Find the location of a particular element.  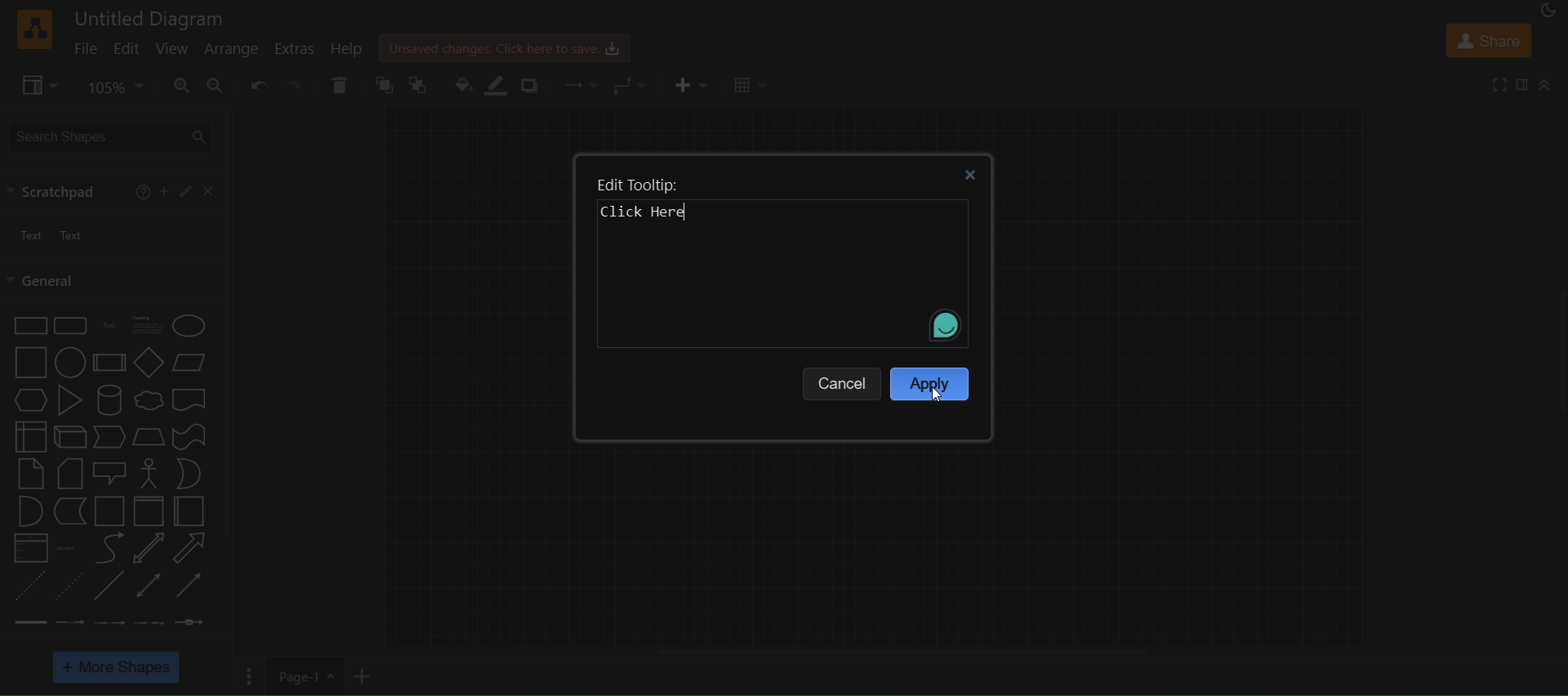

edit tooltip is located at coordinates (635, 187).